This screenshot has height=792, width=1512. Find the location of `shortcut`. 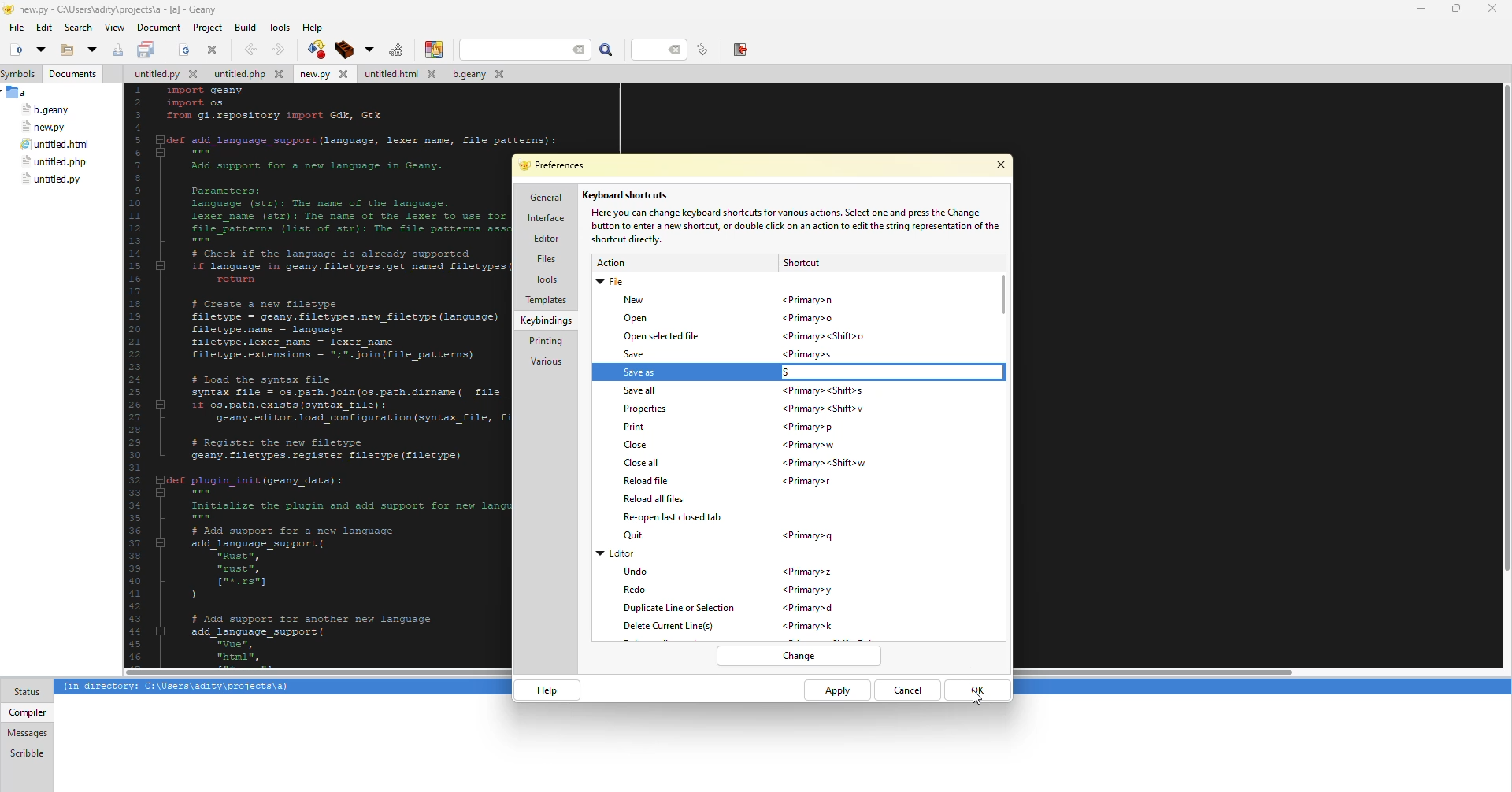

shortcut is located at coordinates (825, 409).